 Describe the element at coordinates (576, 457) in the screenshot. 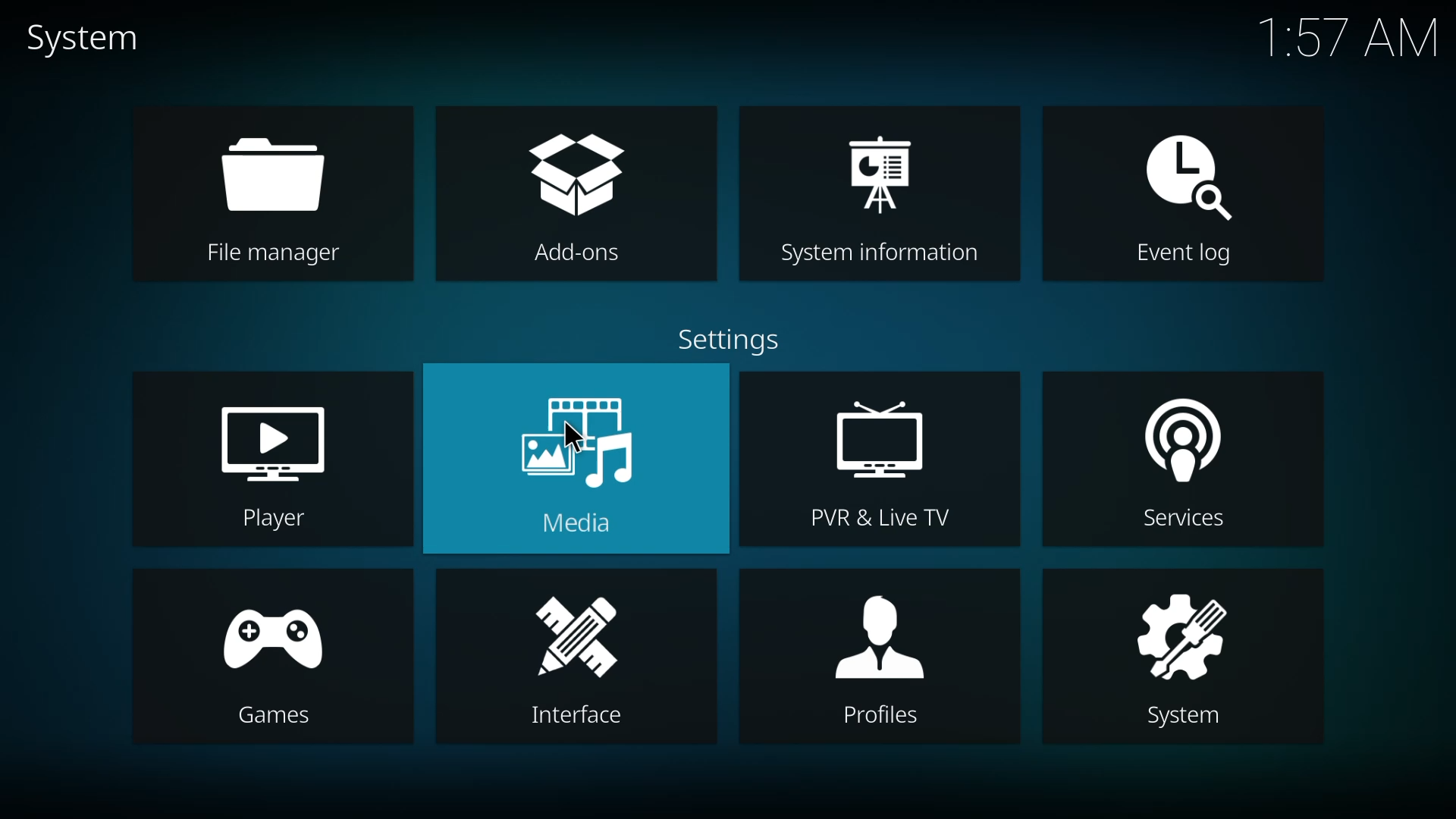

I see `media` at that location.